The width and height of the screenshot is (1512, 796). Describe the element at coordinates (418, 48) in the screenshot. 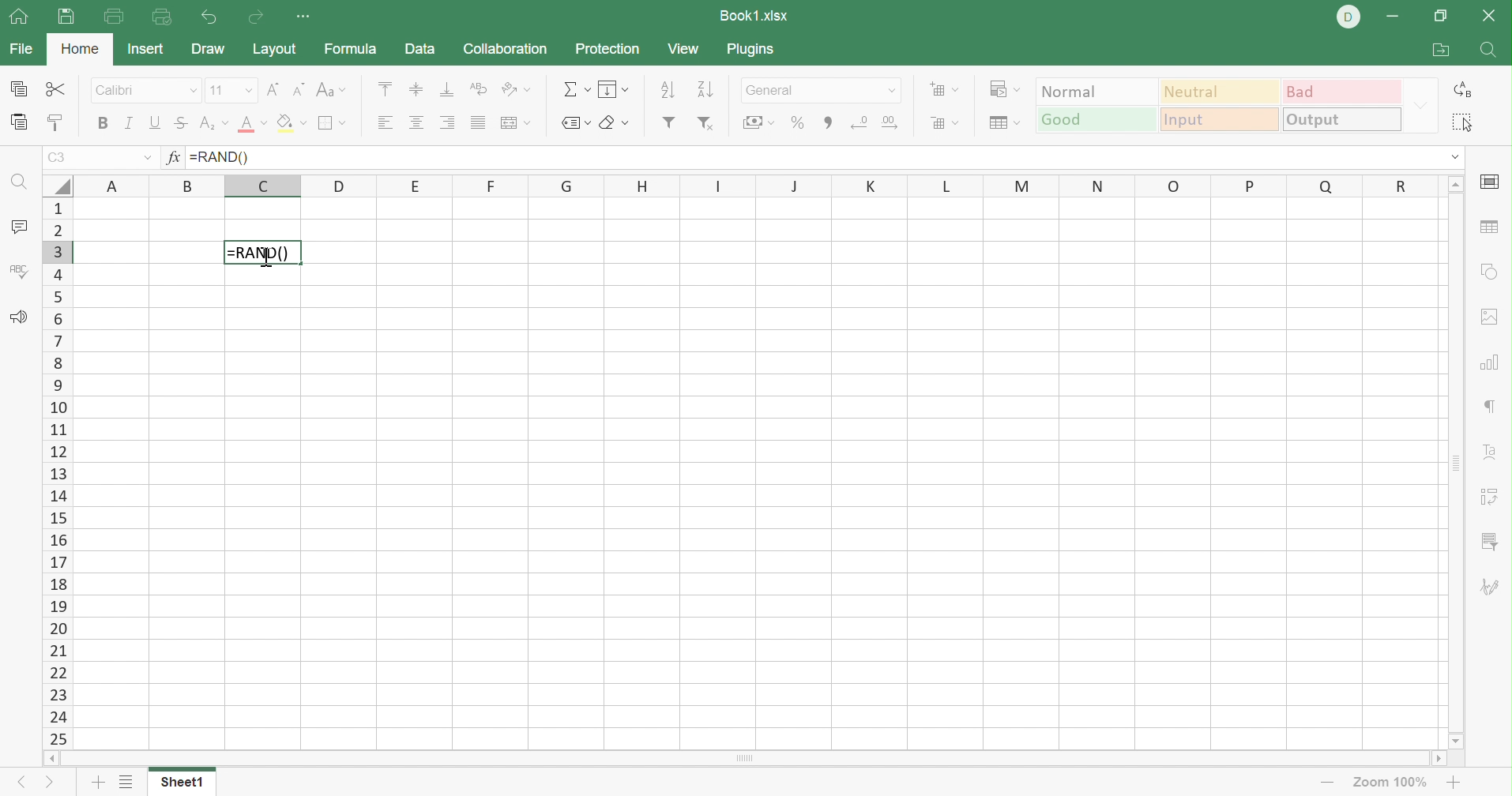

I see `Data` at that location.